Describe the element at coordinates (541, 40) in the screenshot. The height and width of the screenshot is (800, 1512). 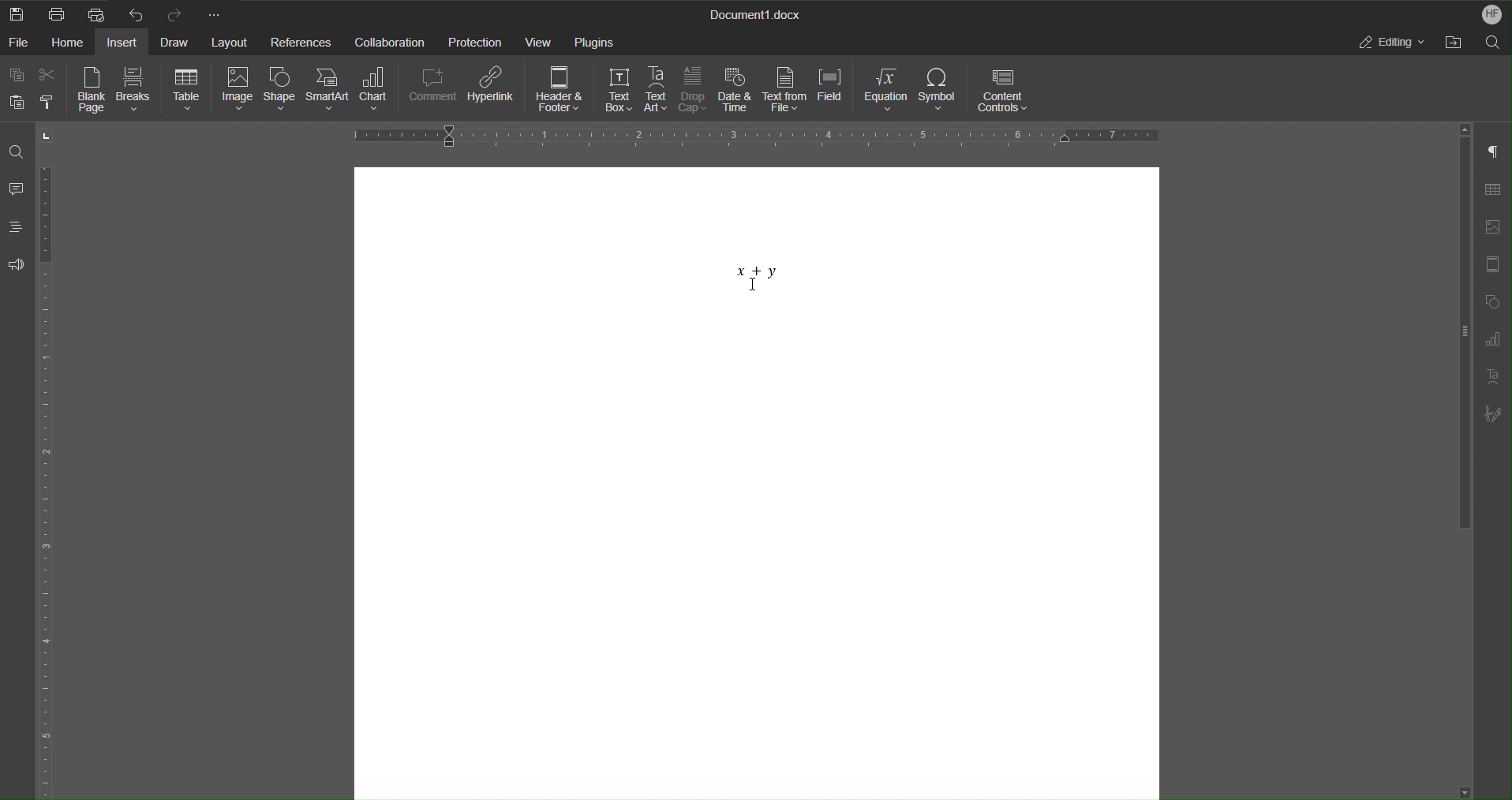
I see `View` at that location.